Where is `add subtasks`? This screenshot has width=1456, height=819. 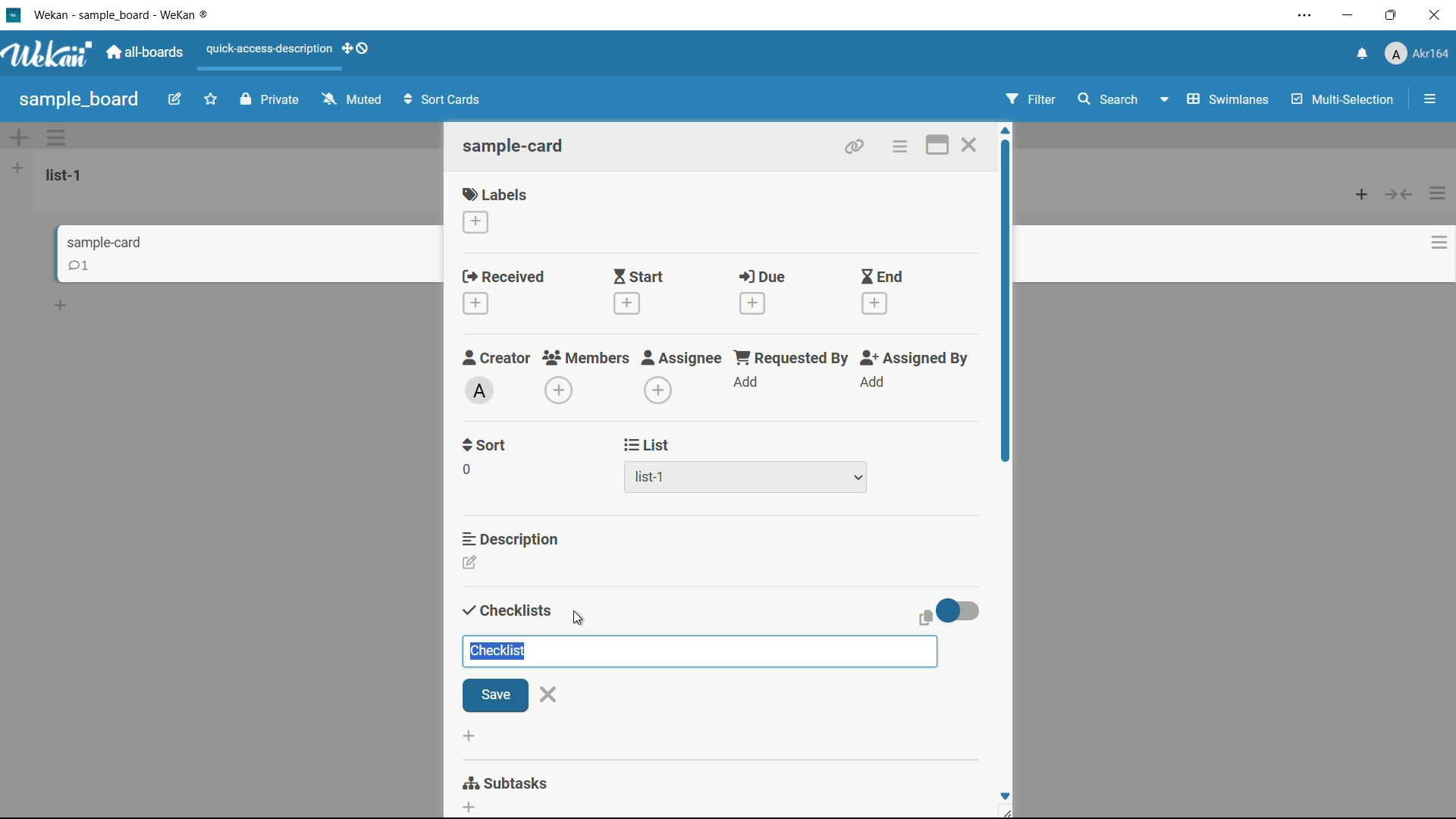
add subtasks is located at coordinates (470, 806).